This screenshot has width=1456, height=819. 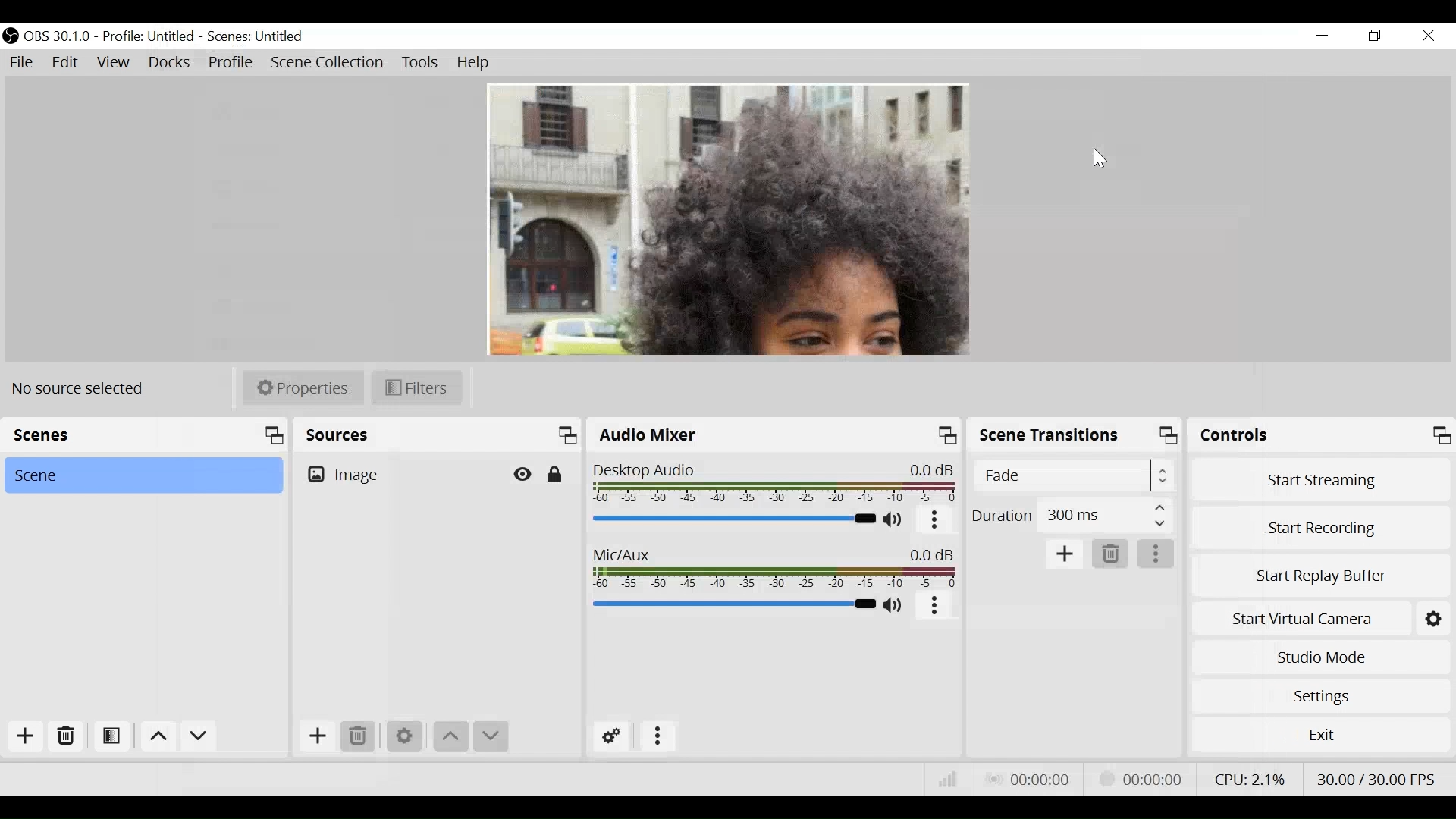 I want to click on Mic/Aux Slider, so click(x=733, y=604).